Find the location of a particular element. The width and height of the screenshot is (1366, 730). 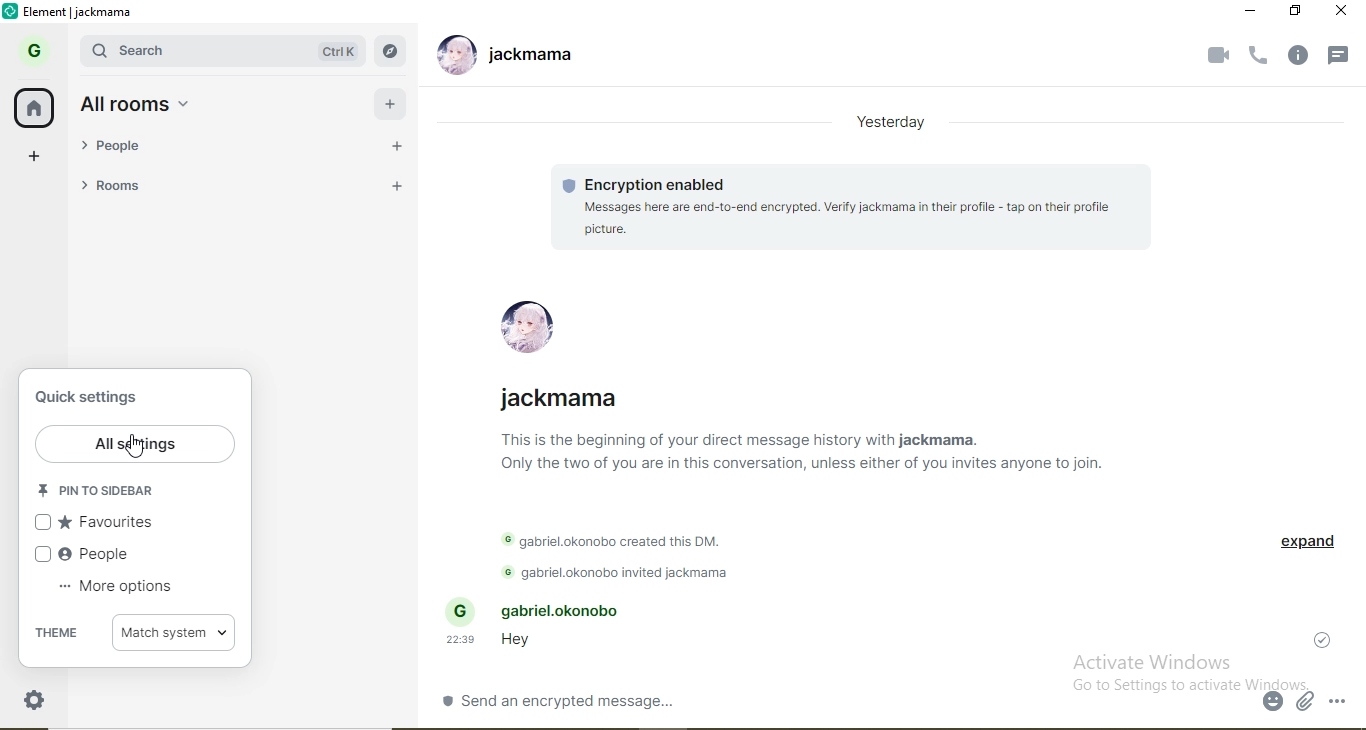

add rooms is located at coordinates (395, 185).